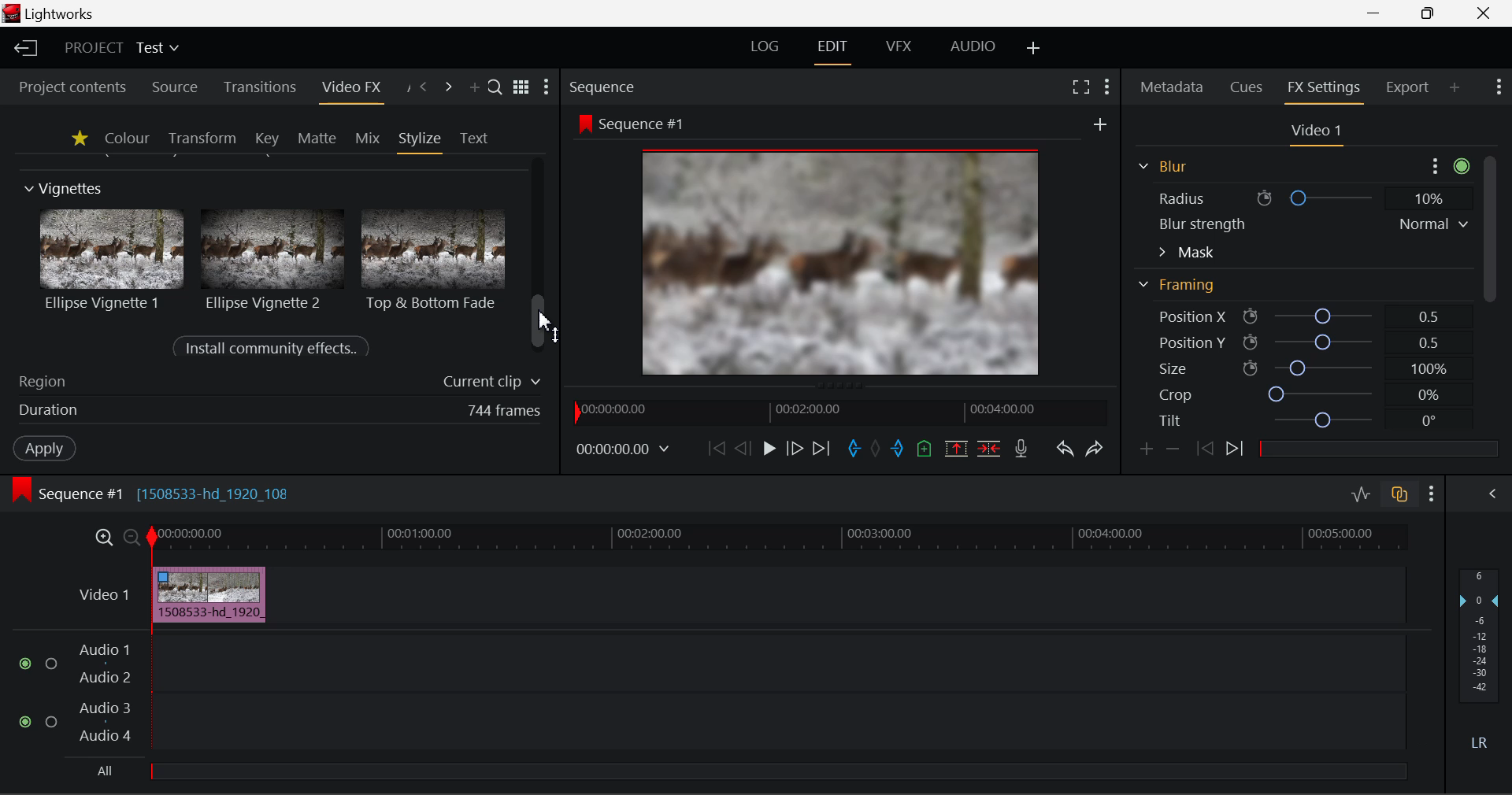 The image size is (1512, 795). Describe the element at coordinates (624, 448) in the screenshot. I see `Frame Time` at that location.